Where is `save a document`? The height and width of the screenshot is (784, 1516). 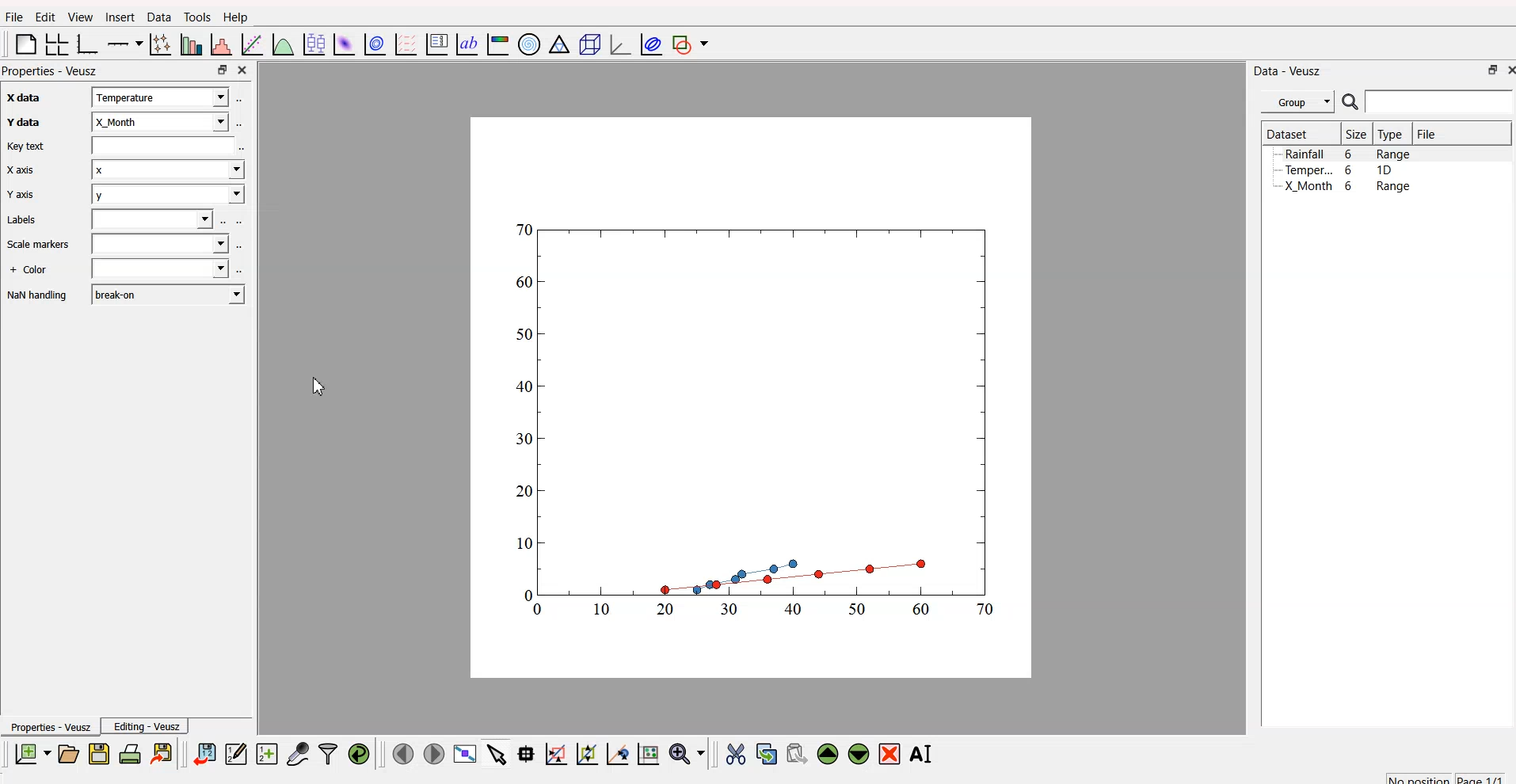 save a document is located at coordinates (97, 753).